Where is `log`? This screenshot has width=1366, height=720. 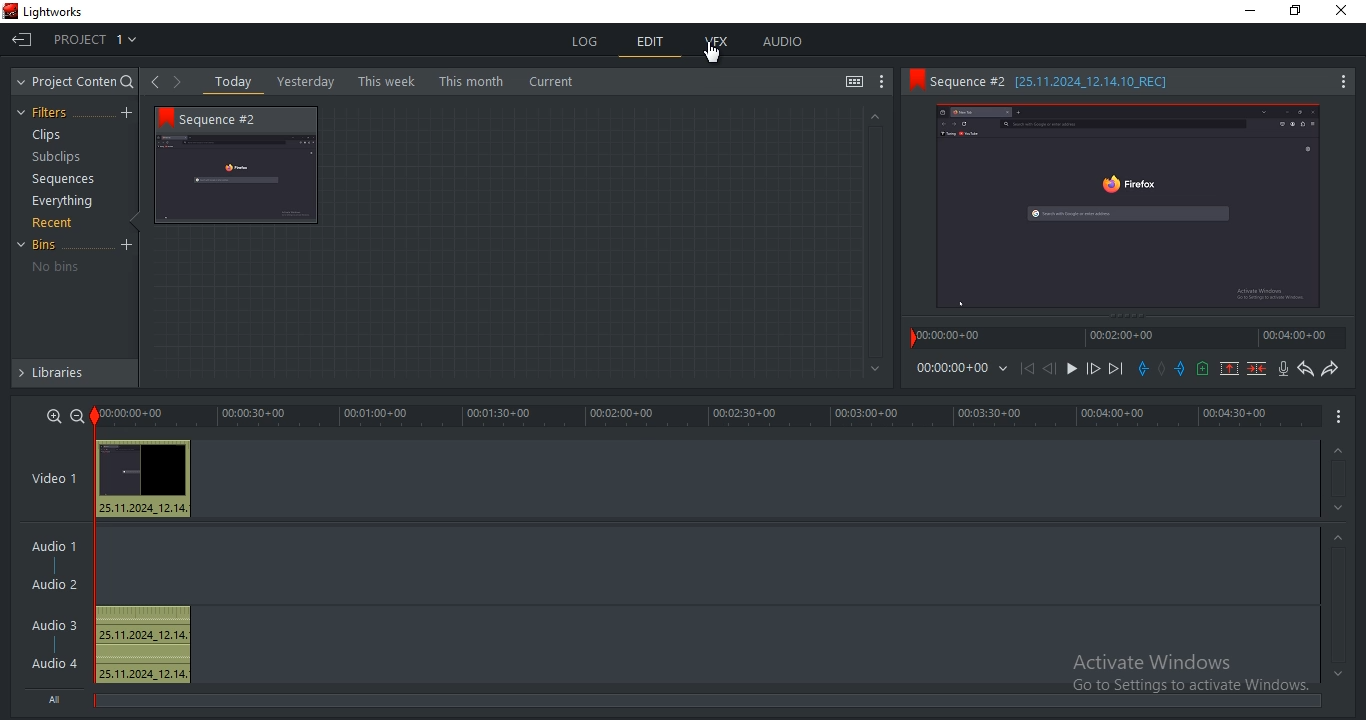 log is located at coordinates (585, 43).